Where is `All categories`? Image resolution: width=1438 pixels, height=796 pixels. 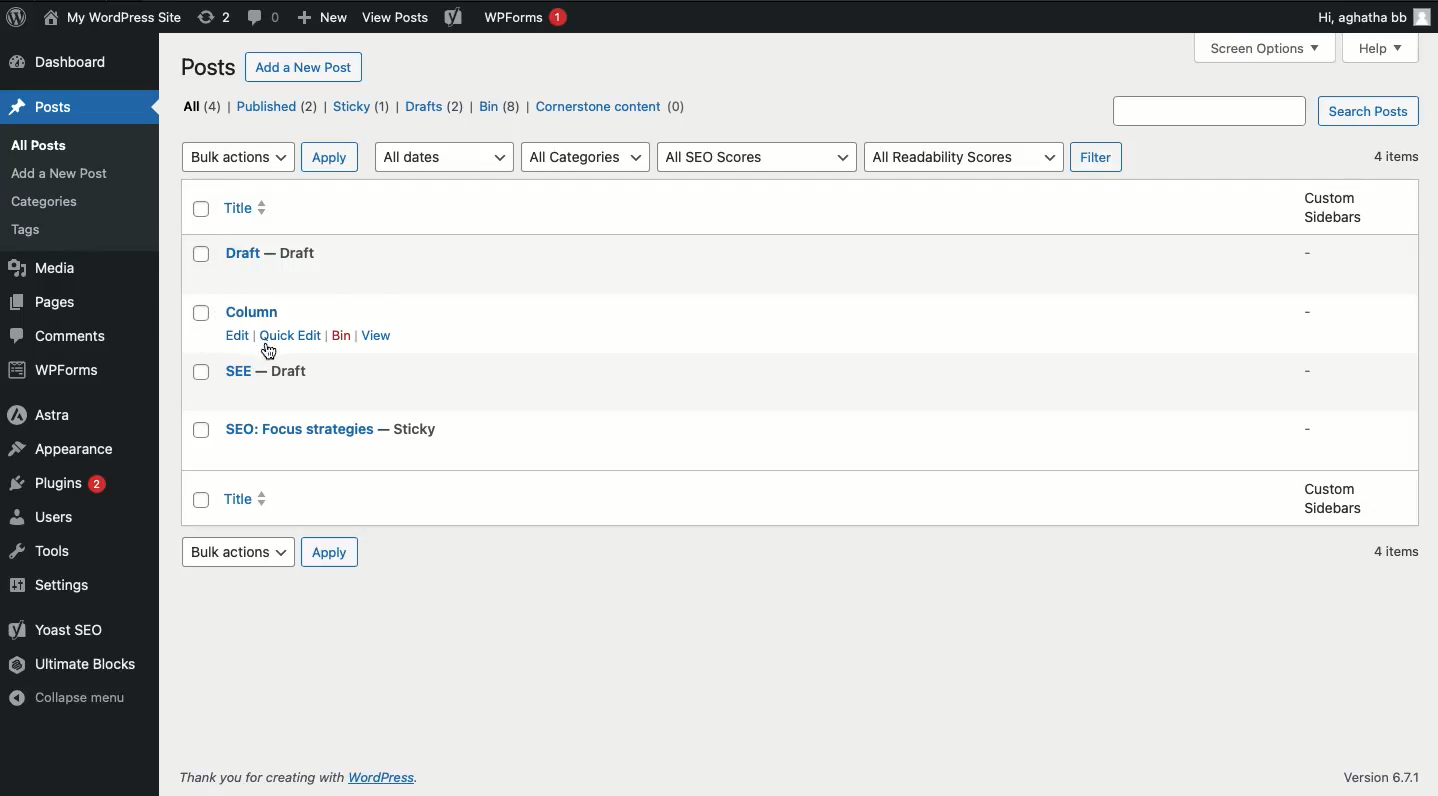
All categories is located at coordinates (587, 156).